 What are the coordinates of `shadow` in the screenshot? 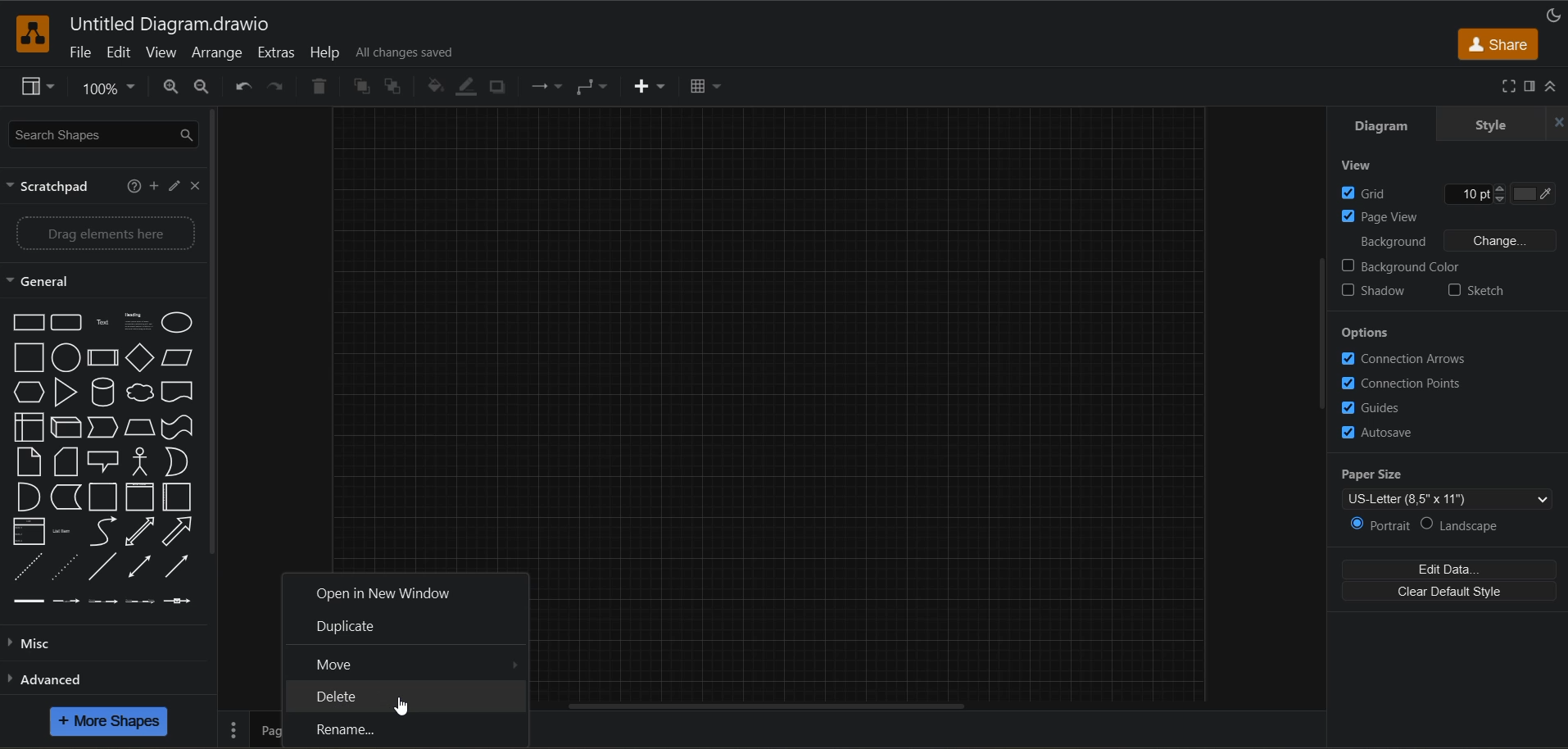 It's located at (1379, 293).